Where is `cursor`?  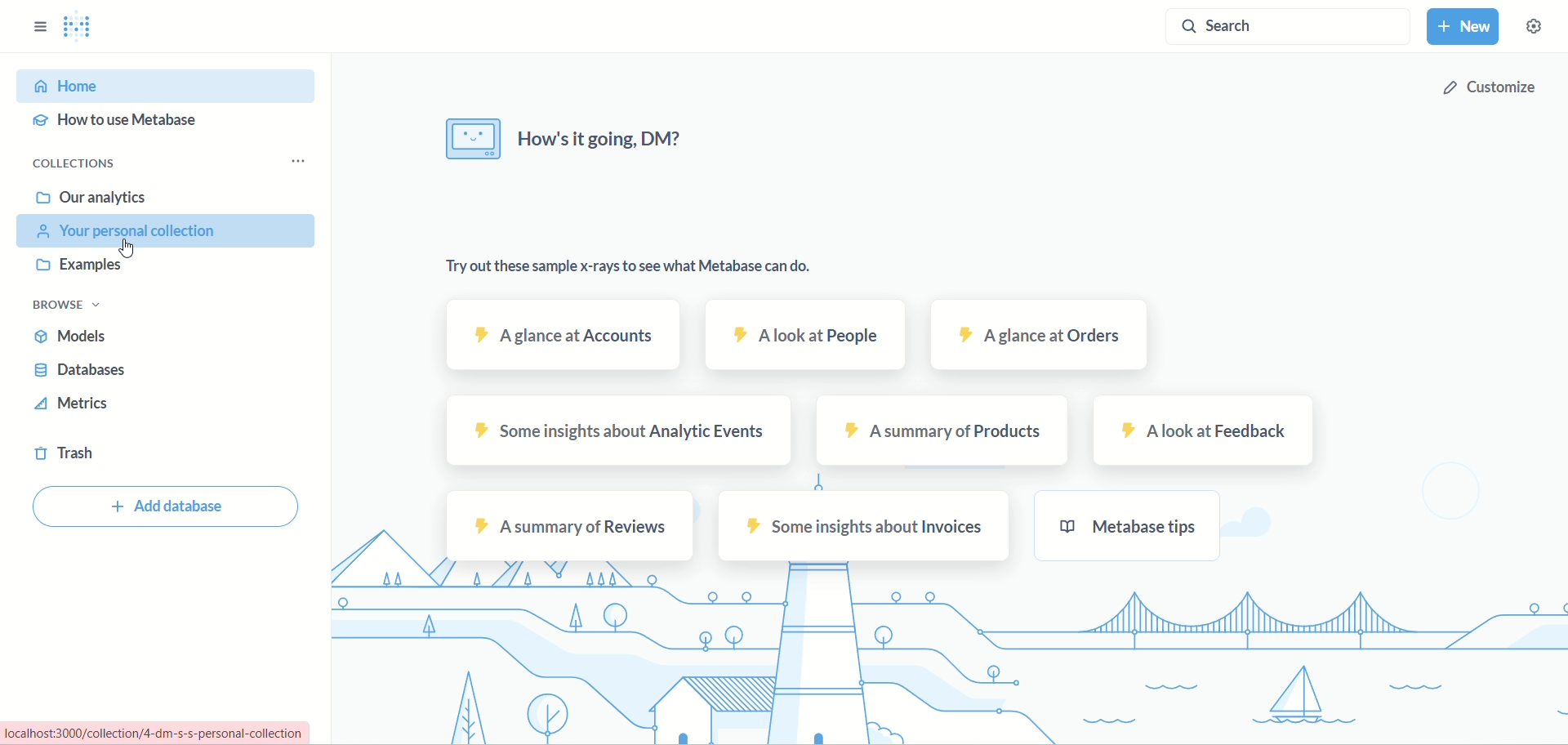
cursor is located at coordinates (131, 249).